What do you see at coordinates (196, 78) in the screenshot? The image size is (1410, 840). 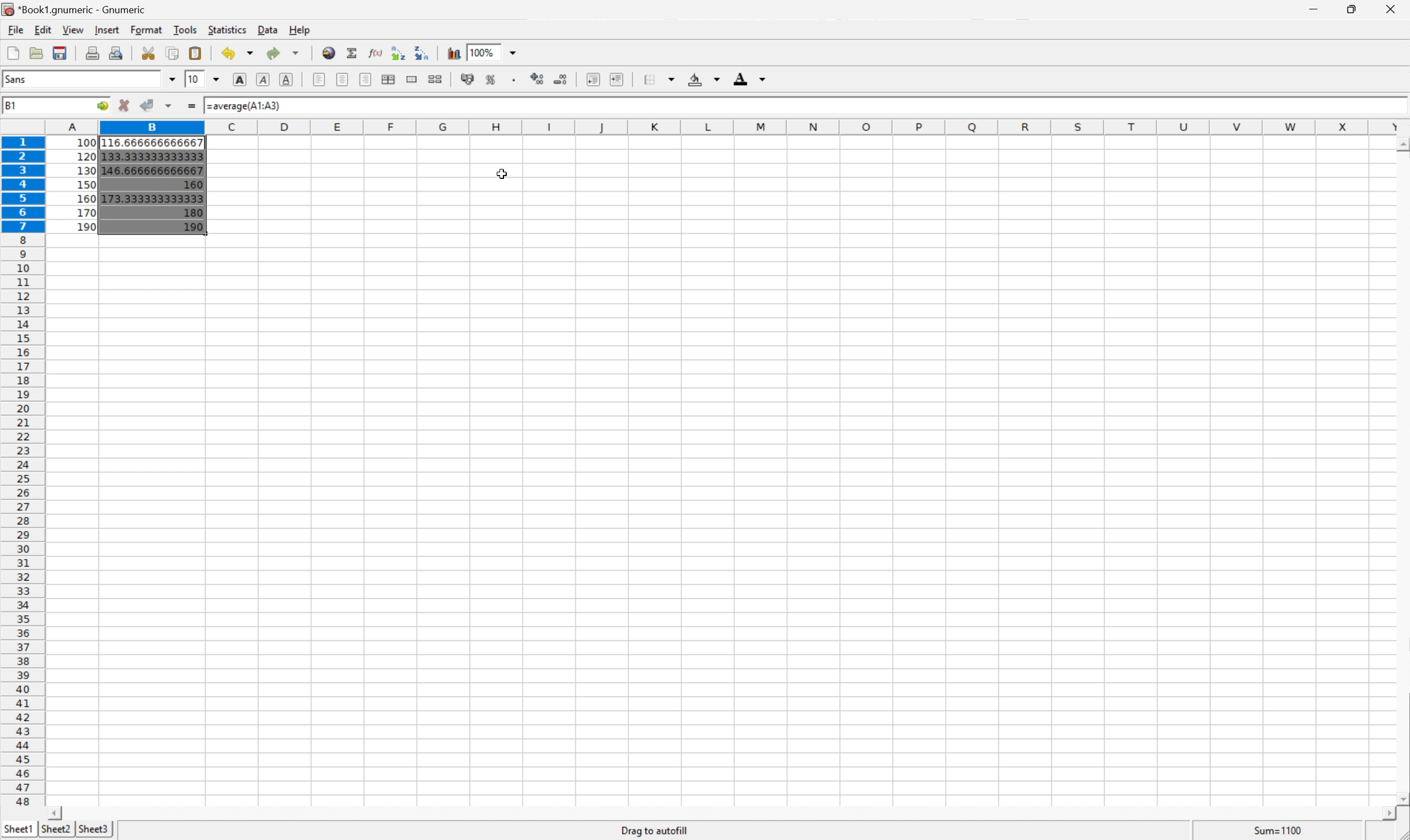 I see `10` at bounding box center [196, 78].